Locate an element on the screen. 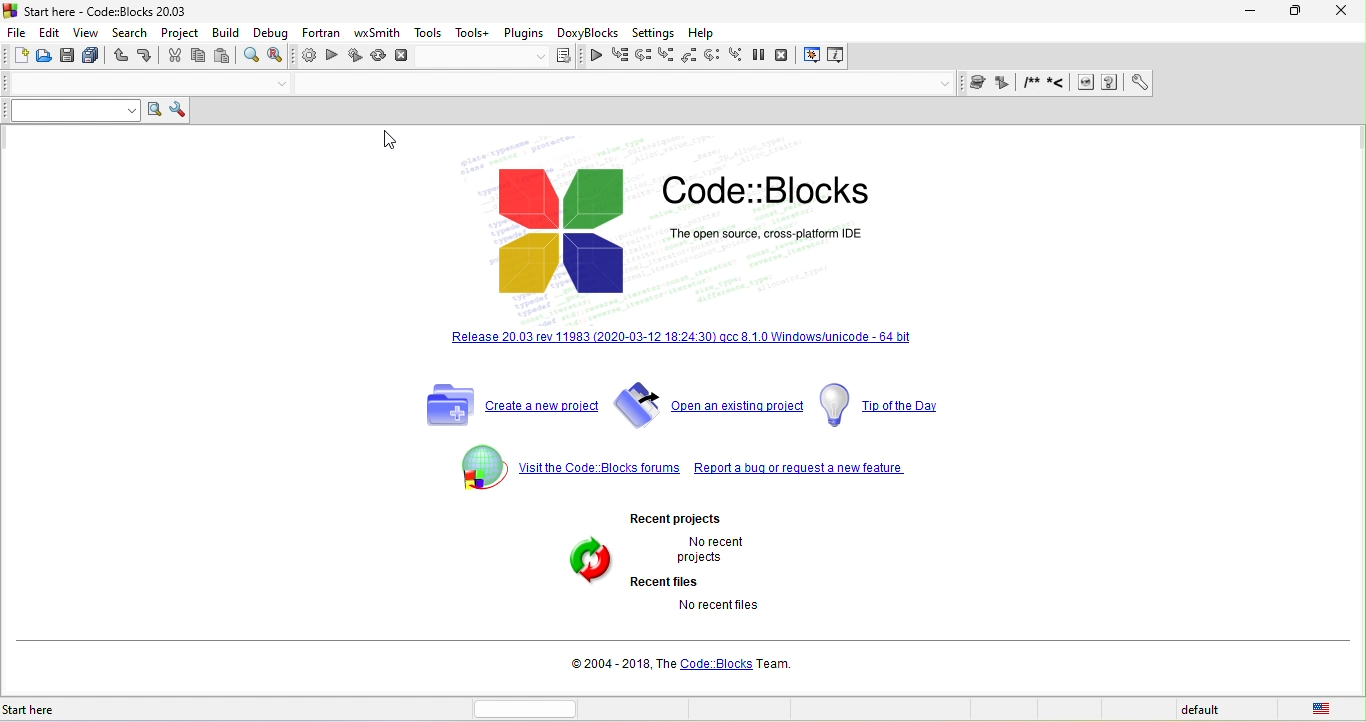  fortran is located at coordinates (317, 32).